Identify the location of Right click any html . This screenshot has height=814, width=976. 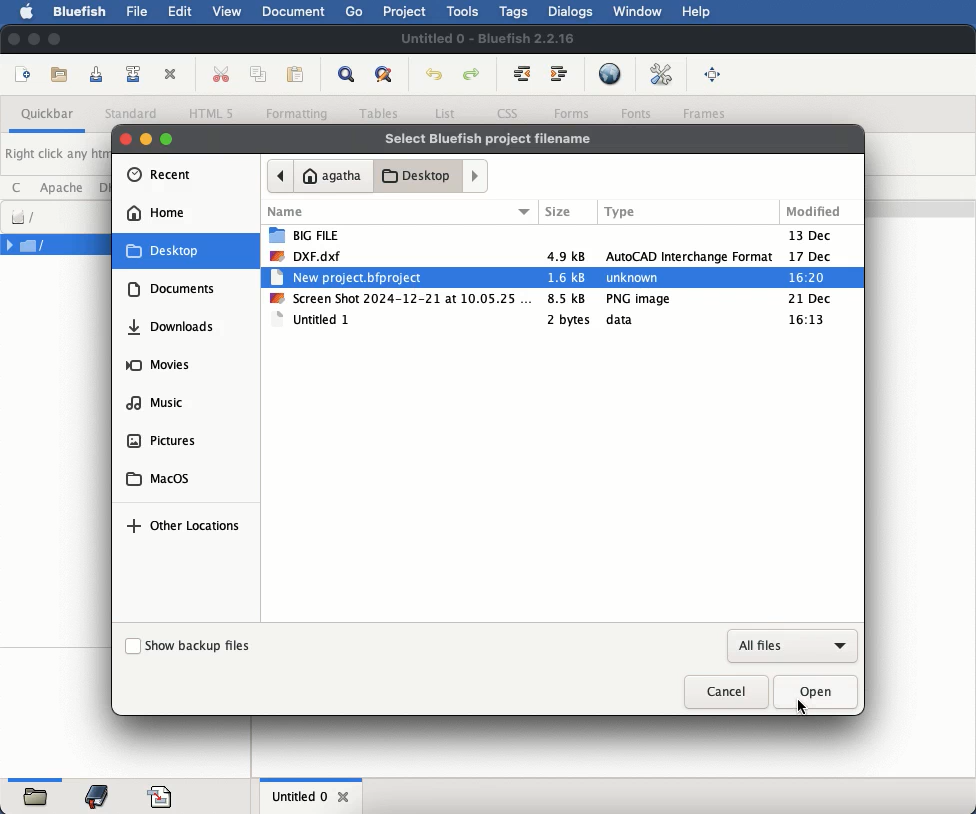
(57, 153).